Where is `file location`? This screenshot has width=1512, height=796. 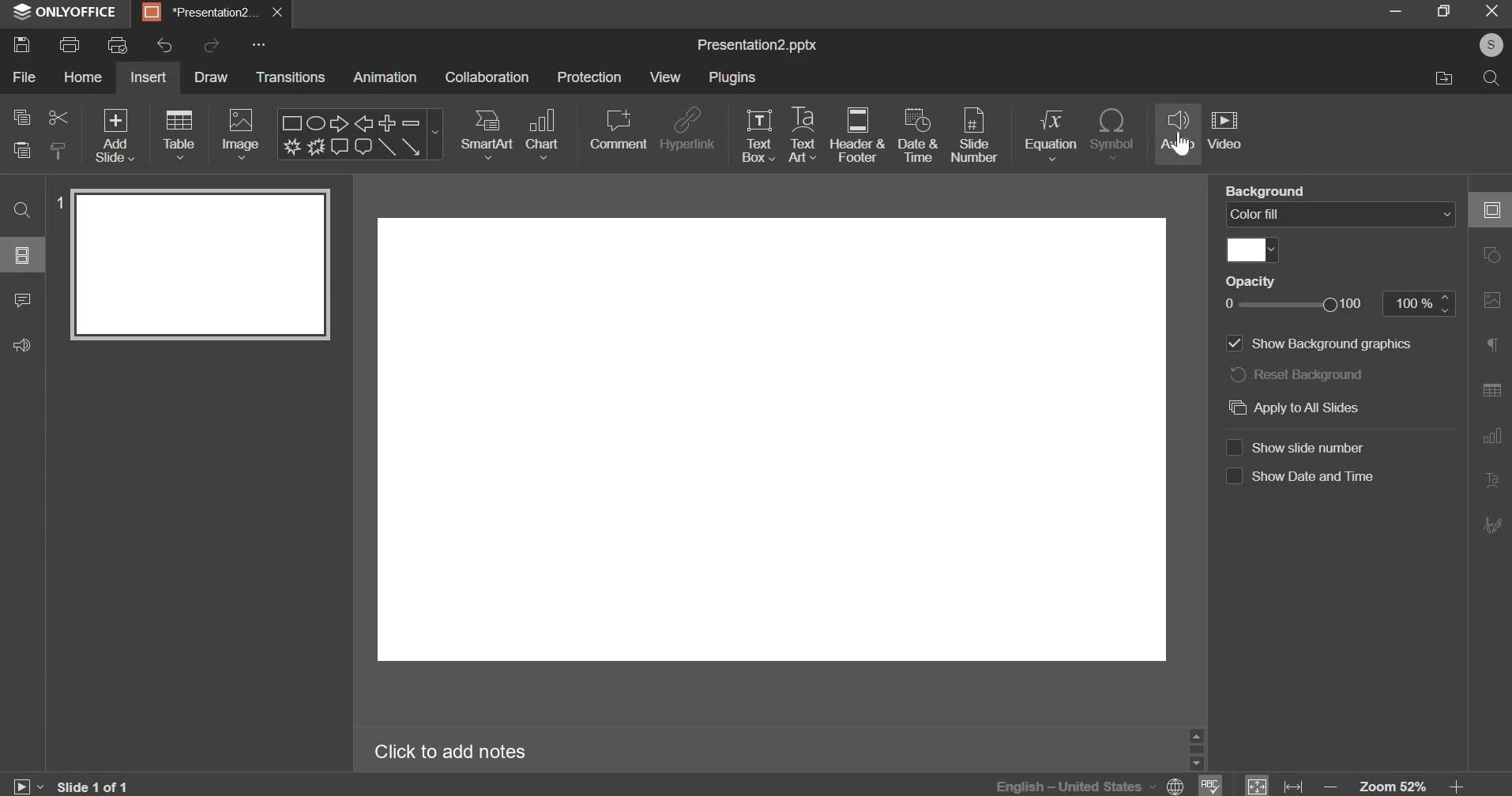 file location is located at coordinates (1452, 81).